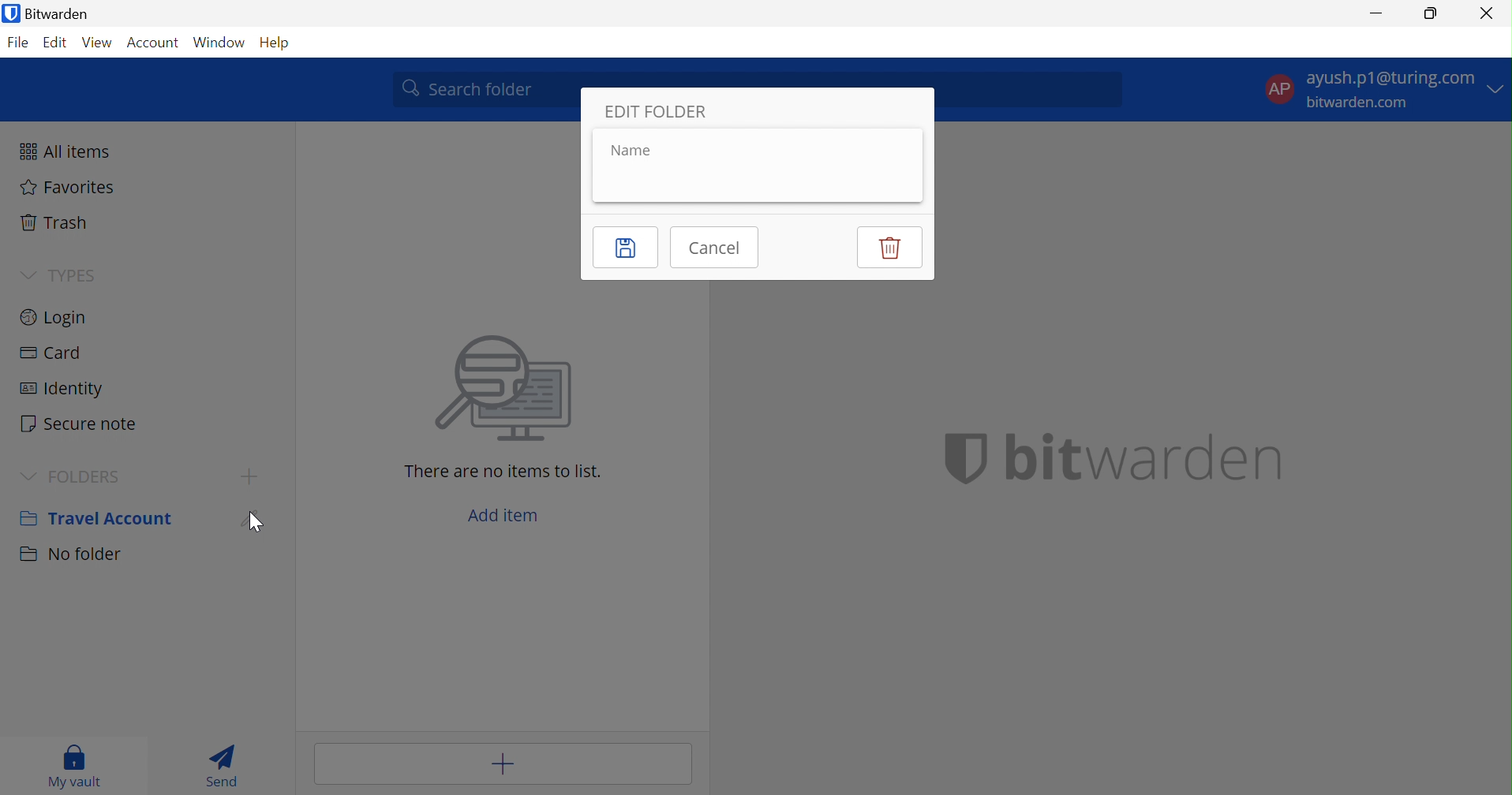 Image resolution: width=1512 pixels, height=795 pixels. Describe the element at coordinates (746, 177) in the screenshot. I see `name input box` at that location.